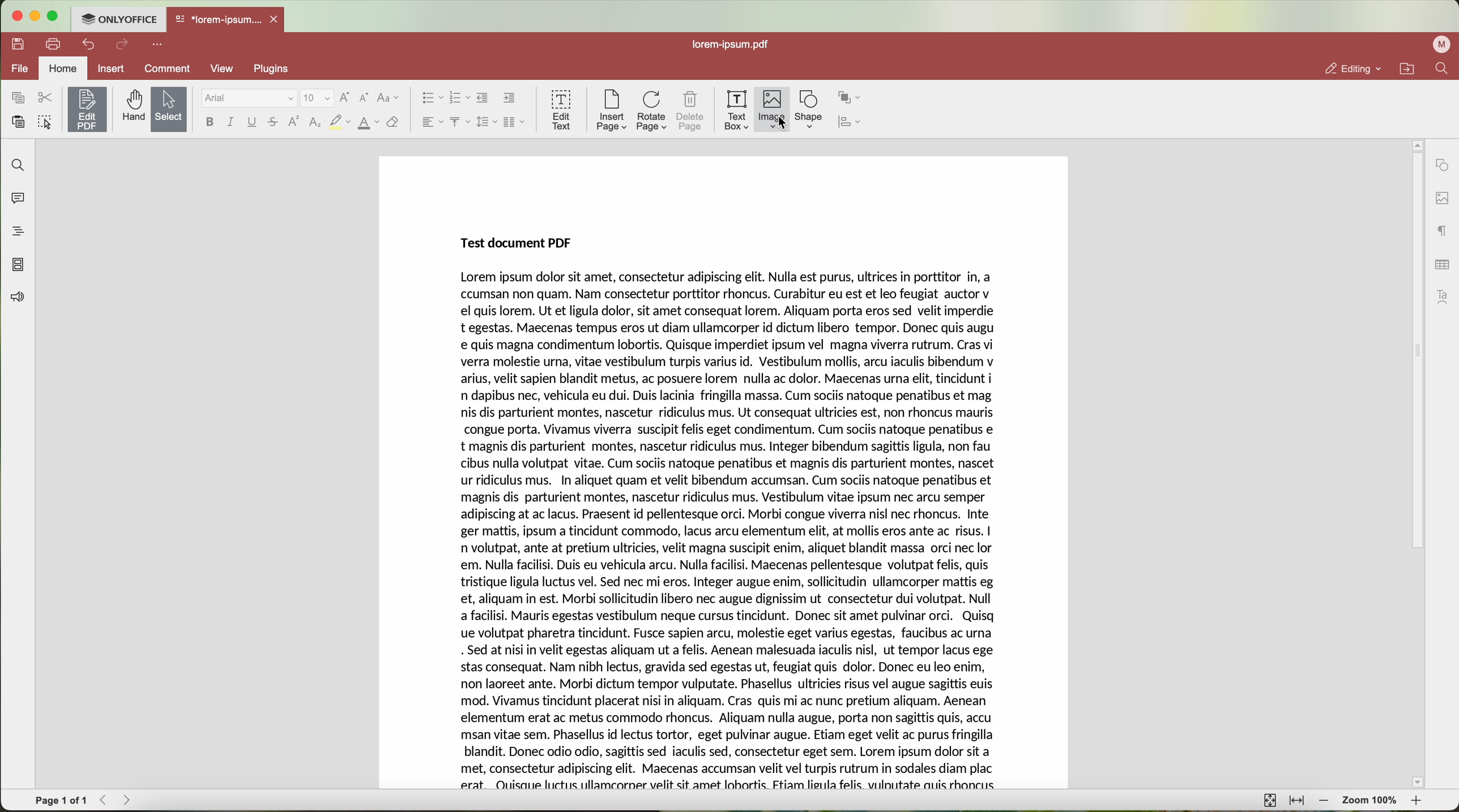  I want to click on rotate page, so click(652, 112).